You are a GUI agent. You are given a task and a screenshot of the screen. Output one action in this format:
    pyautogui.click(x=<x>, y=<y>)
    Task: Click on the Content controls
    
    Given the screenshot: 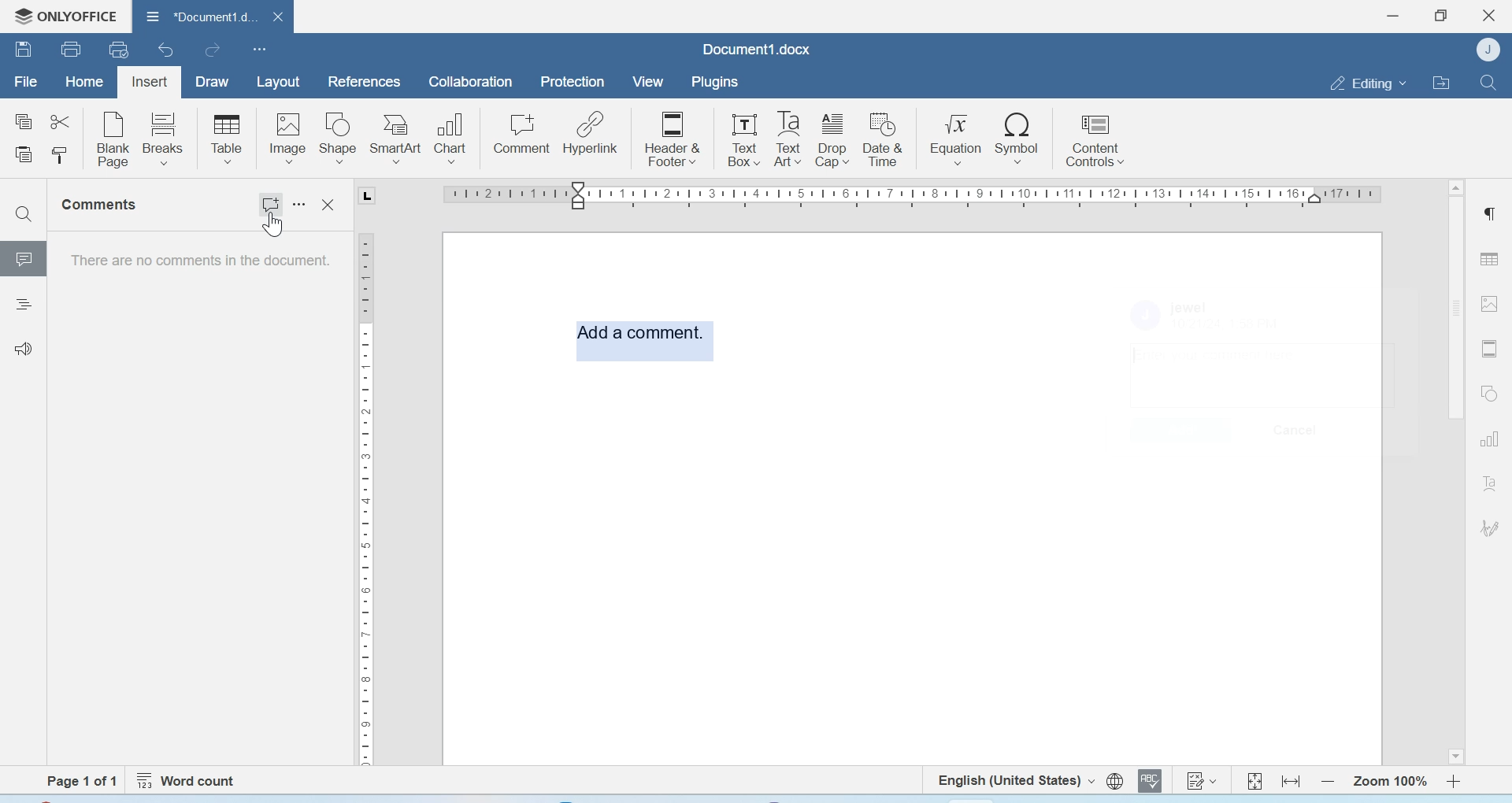 What is the action you would take?
    pyautogui.click(x=1094, y=138)
    